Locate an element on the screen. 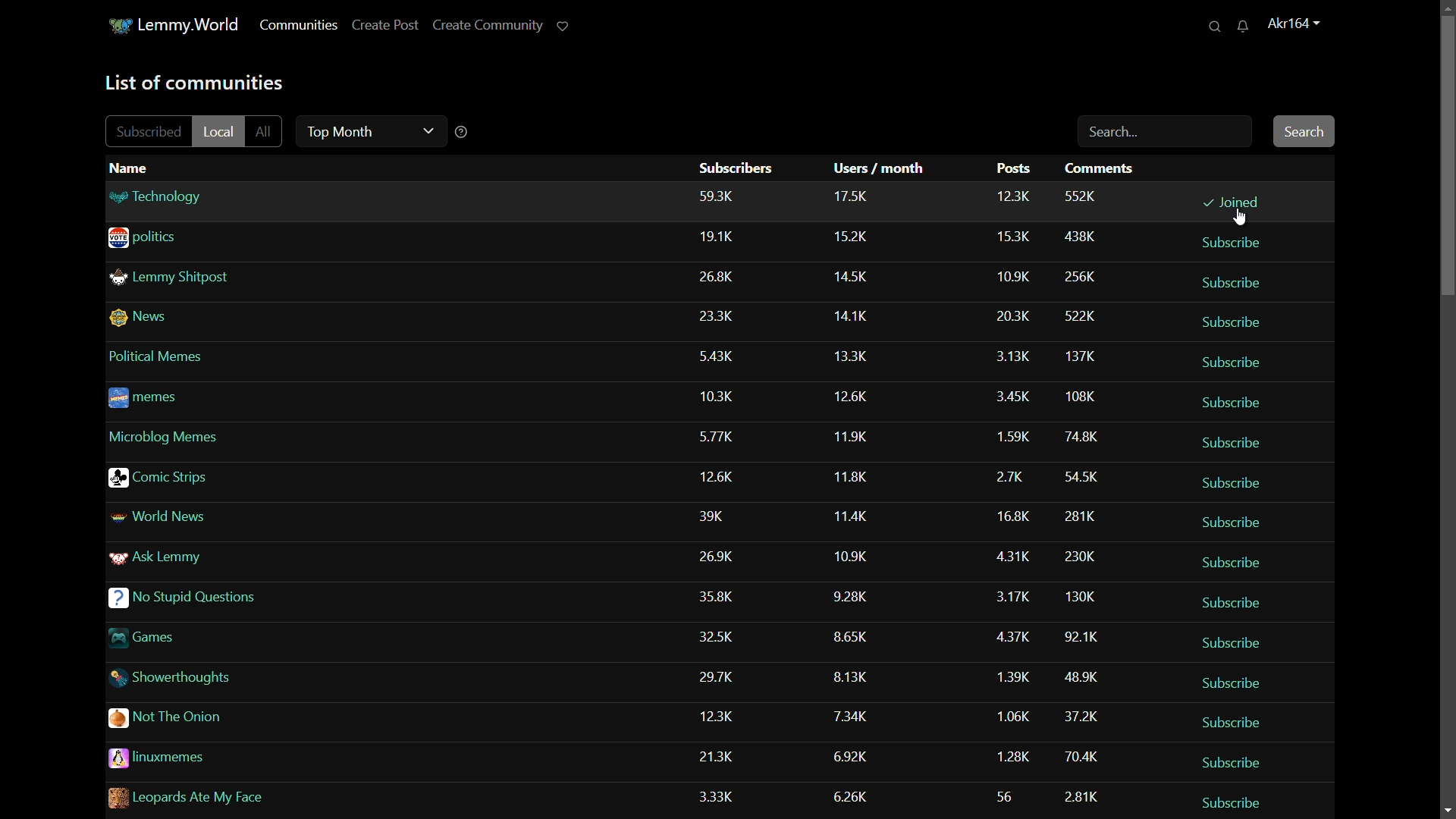  subscribers is located at coordinates (716, 196).